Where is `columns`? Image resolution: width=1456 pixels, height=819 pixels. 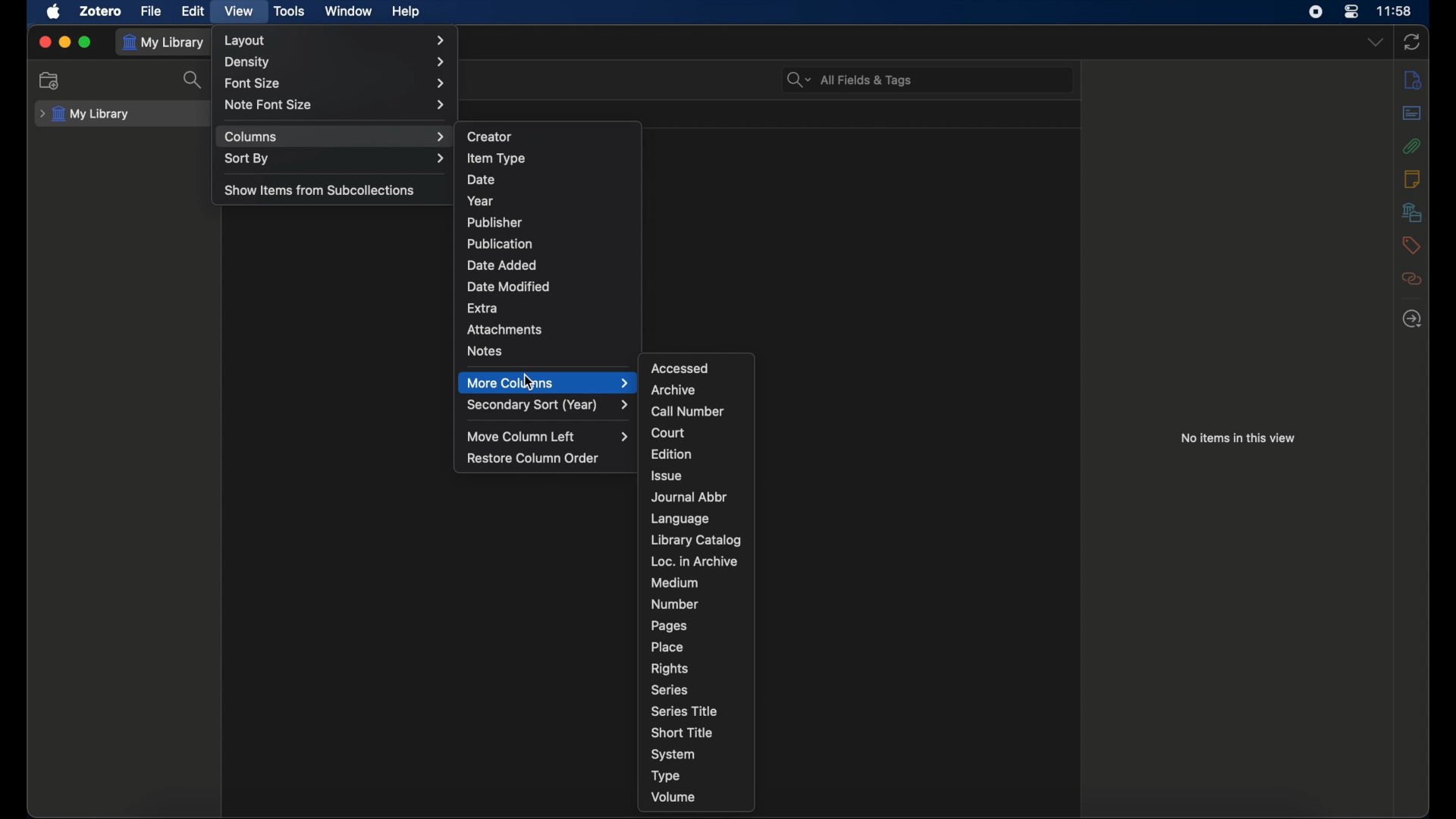
columns is located at coordinates (334, 137).